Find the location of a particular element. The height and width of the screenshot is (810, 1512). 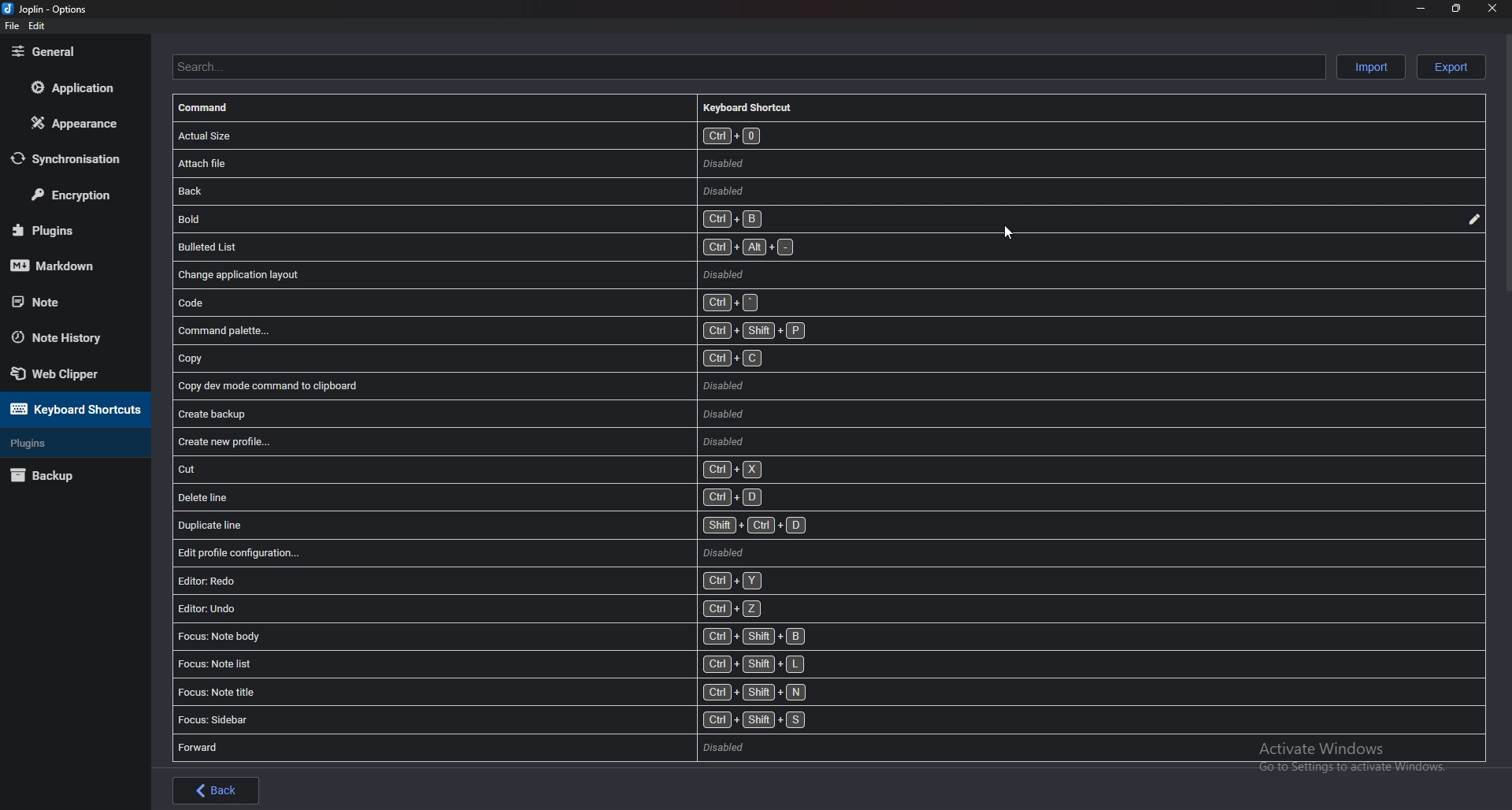

Minimize is located at coordinates (1421, 10).